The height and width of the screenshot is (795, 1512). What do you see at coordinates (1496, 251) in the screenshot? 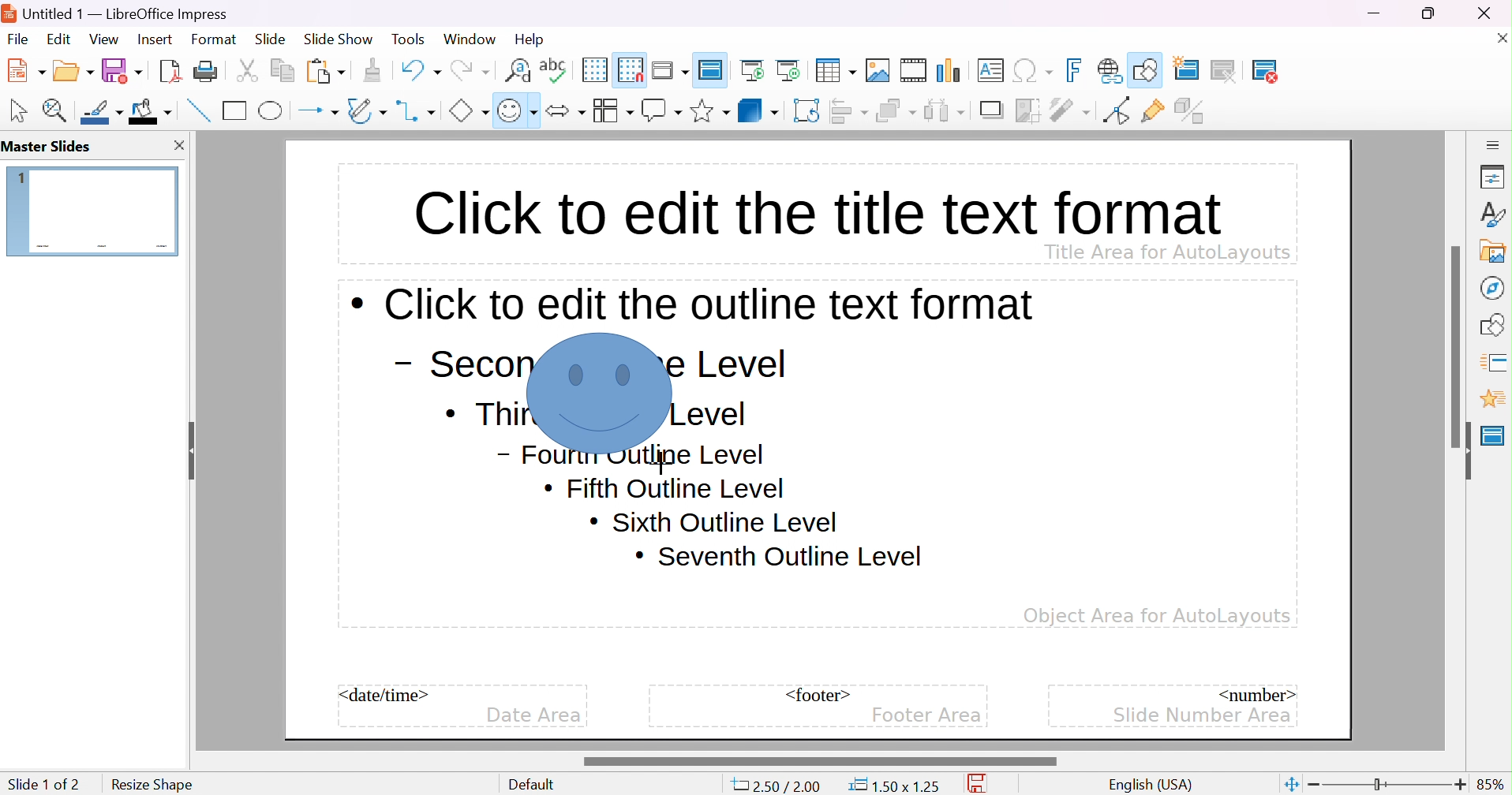
I see `gallery` at bounding box center [1496, 251].